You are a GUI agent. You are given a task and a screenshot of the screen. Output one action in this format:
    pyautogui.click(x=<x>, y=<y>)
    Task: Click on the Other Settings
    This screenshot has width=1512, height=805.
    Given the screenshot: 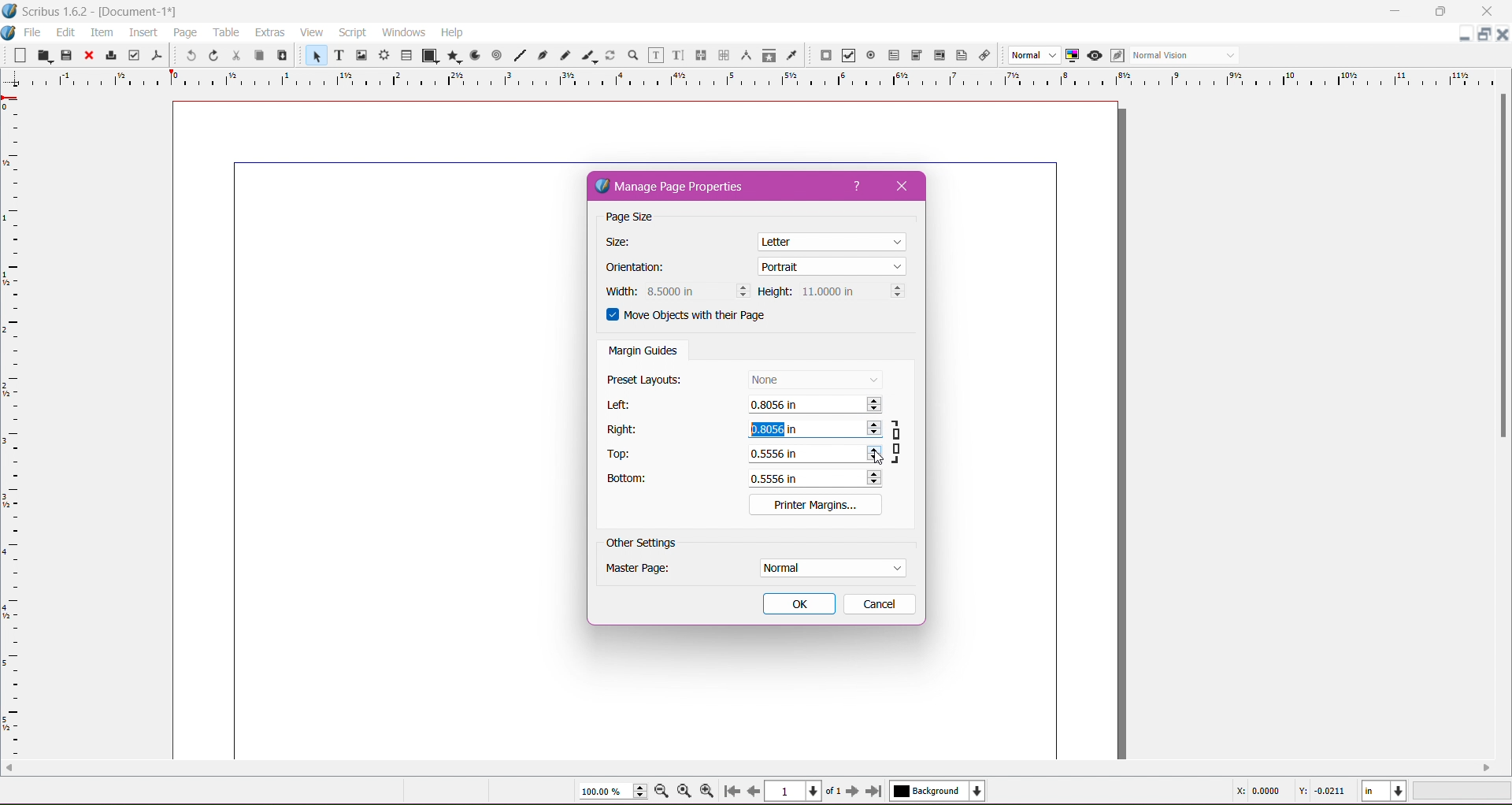 What is the action you would take?
    pyautogui.click(x=642, y=543)
    